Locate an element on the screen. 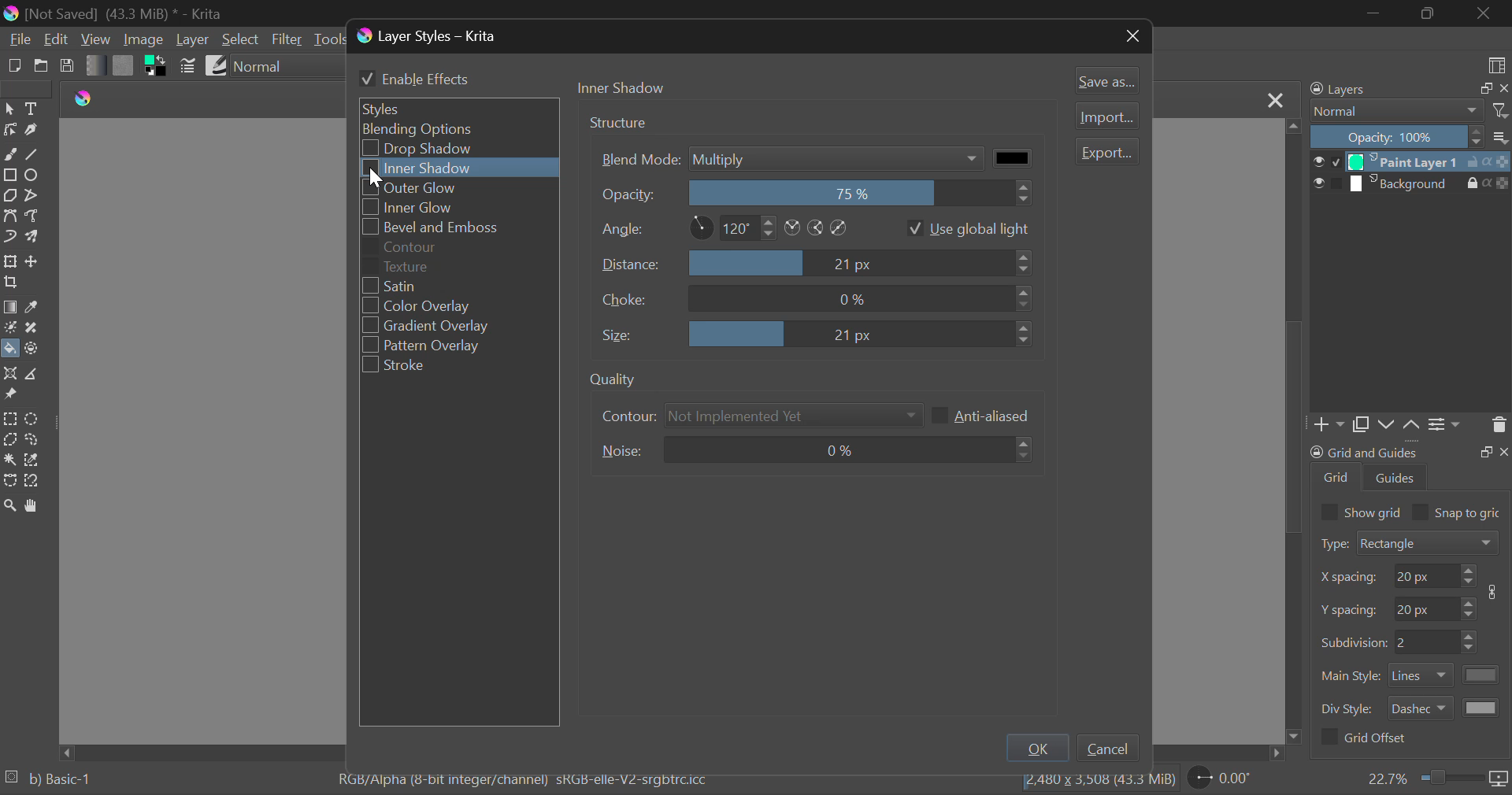  Cursor on Select Inner Shadow is located at coordinates (453, 168).